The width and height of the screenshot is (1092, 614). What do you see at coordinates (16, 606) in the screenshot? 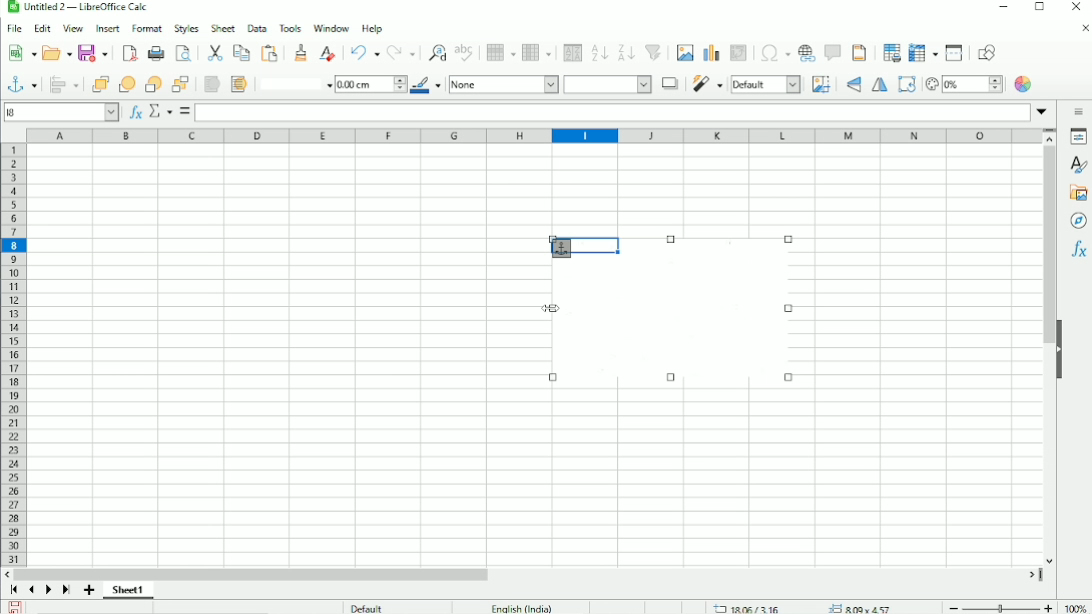
I see `Save` at bounding box center [16, 606].